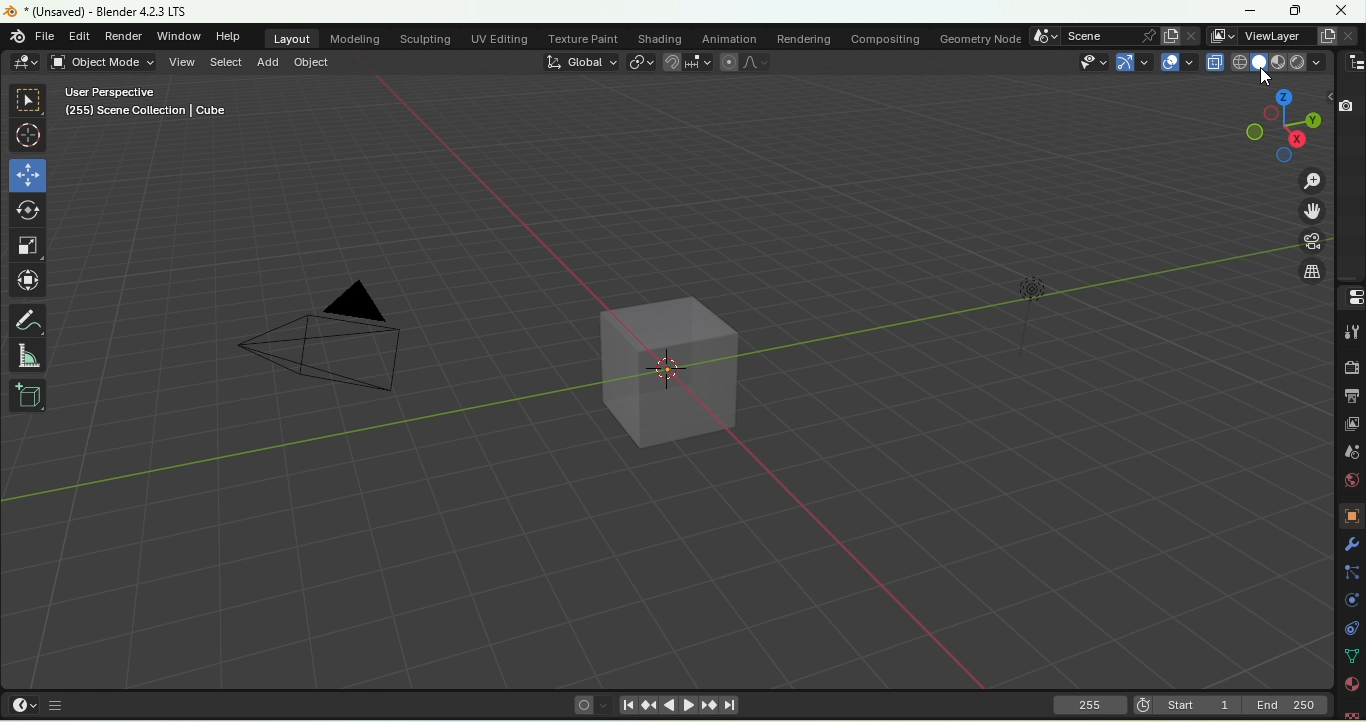 The image size is (1366, 722). Describe the element at coordinates (1088, 62) in the screenshot. I see `Selectability and visibility` at that location.